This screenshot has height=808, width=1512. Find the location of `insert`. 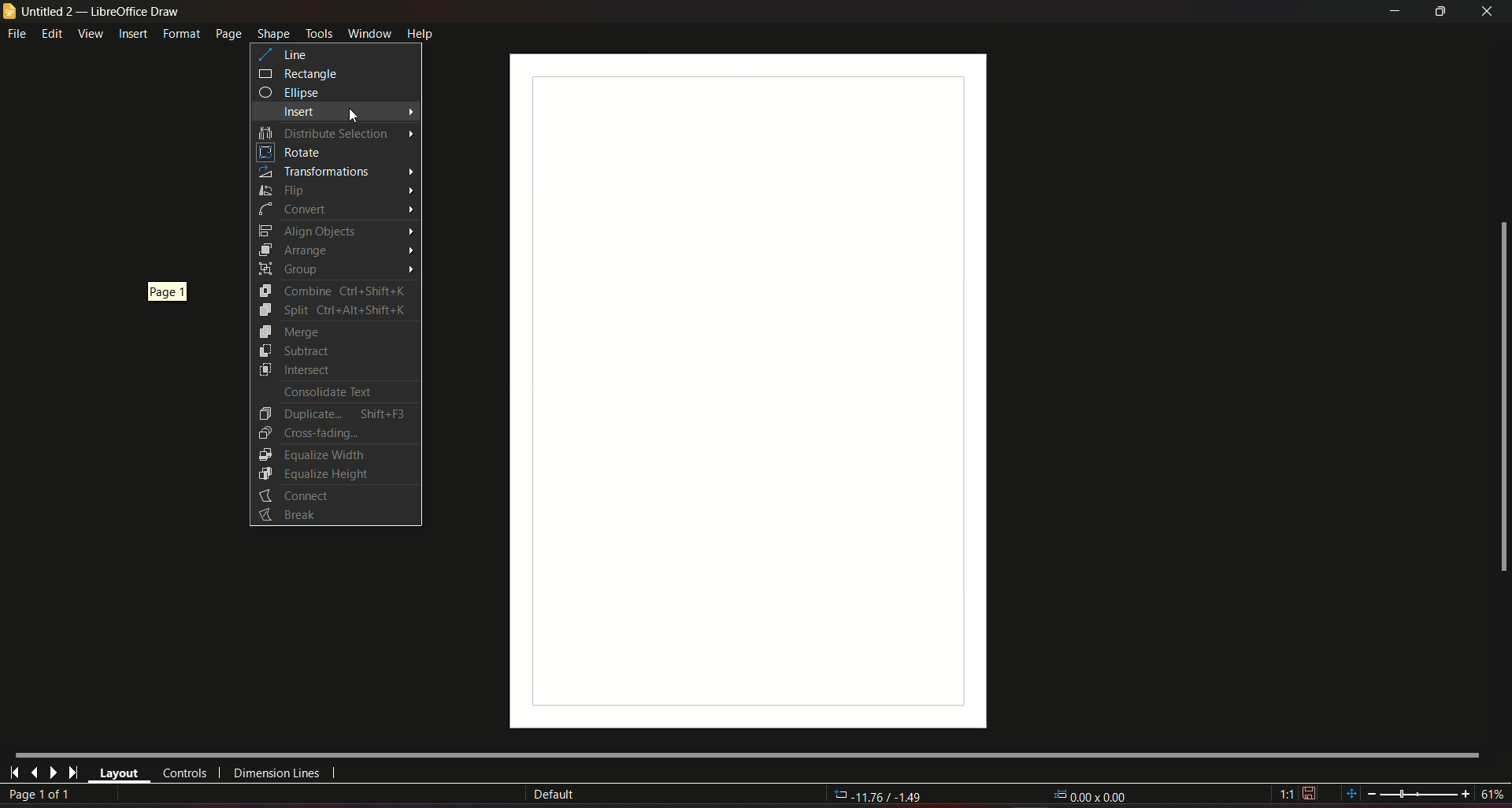

insert is located at coordinates (302, 111).